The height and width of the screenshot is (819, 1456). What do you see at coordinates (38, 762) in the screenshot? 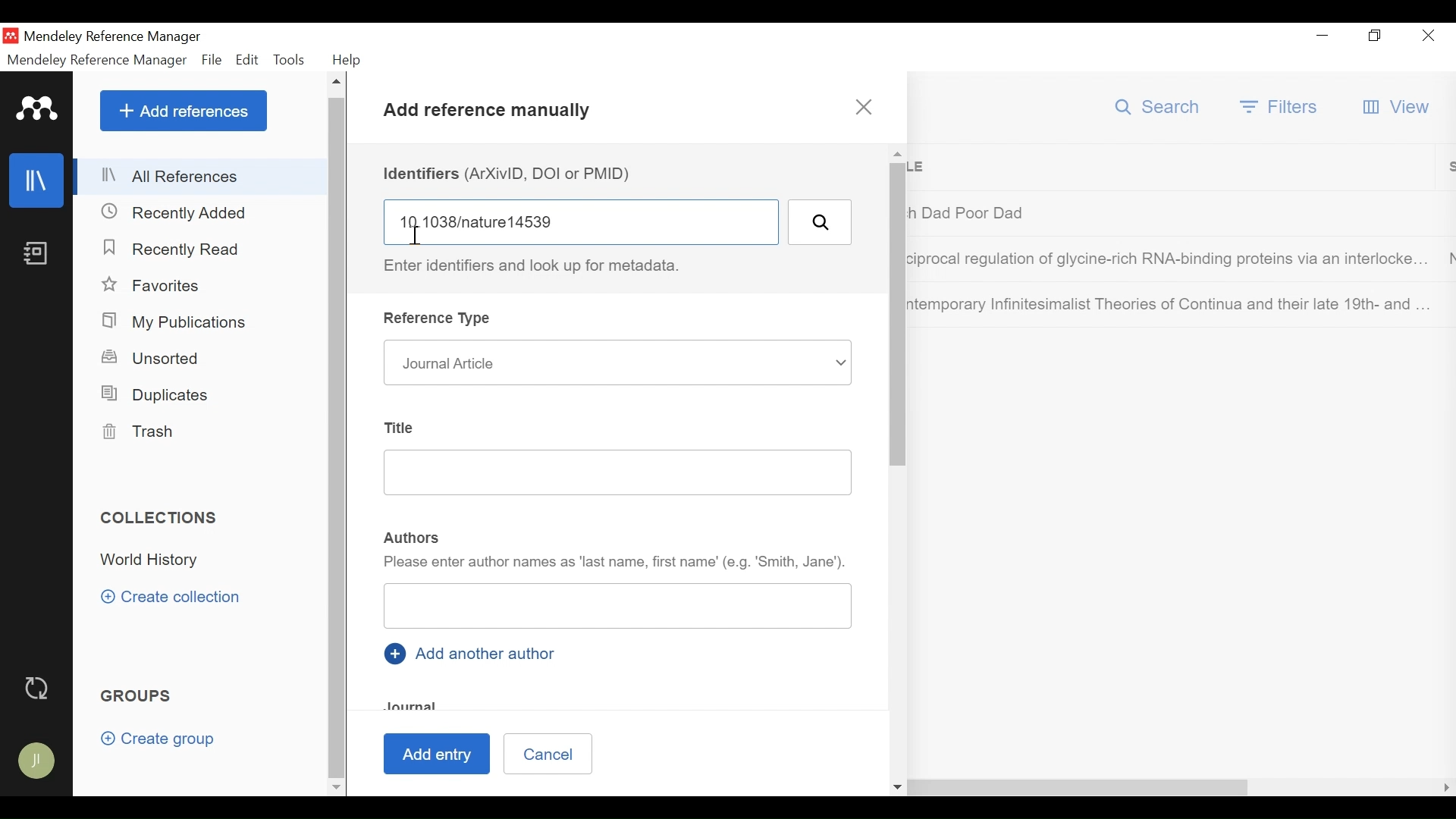
I see `Avatar` at bounding box center [38, 762].